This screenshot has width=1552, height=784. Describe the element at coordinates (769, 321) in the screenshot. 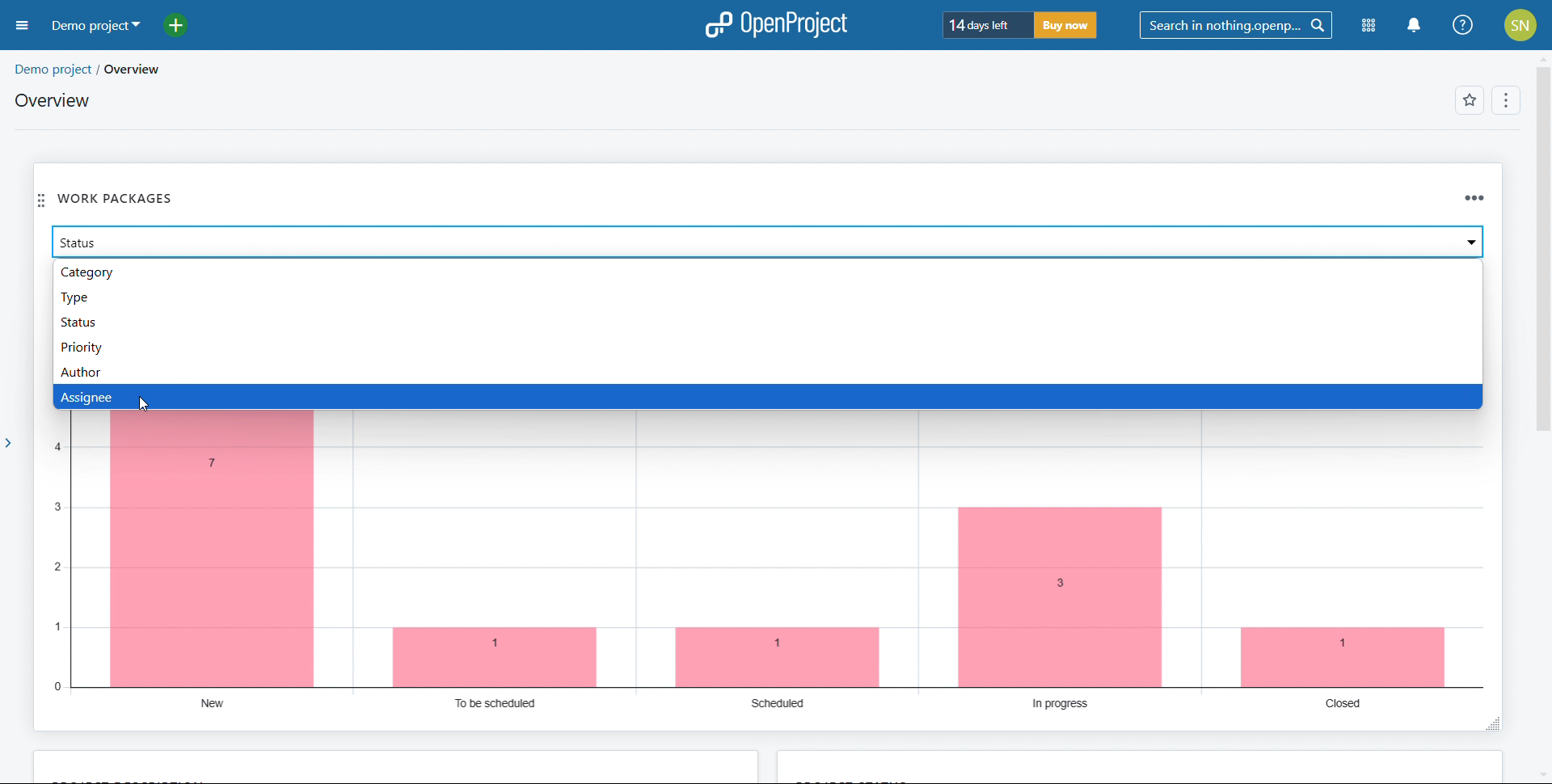

I see `status` at that location.